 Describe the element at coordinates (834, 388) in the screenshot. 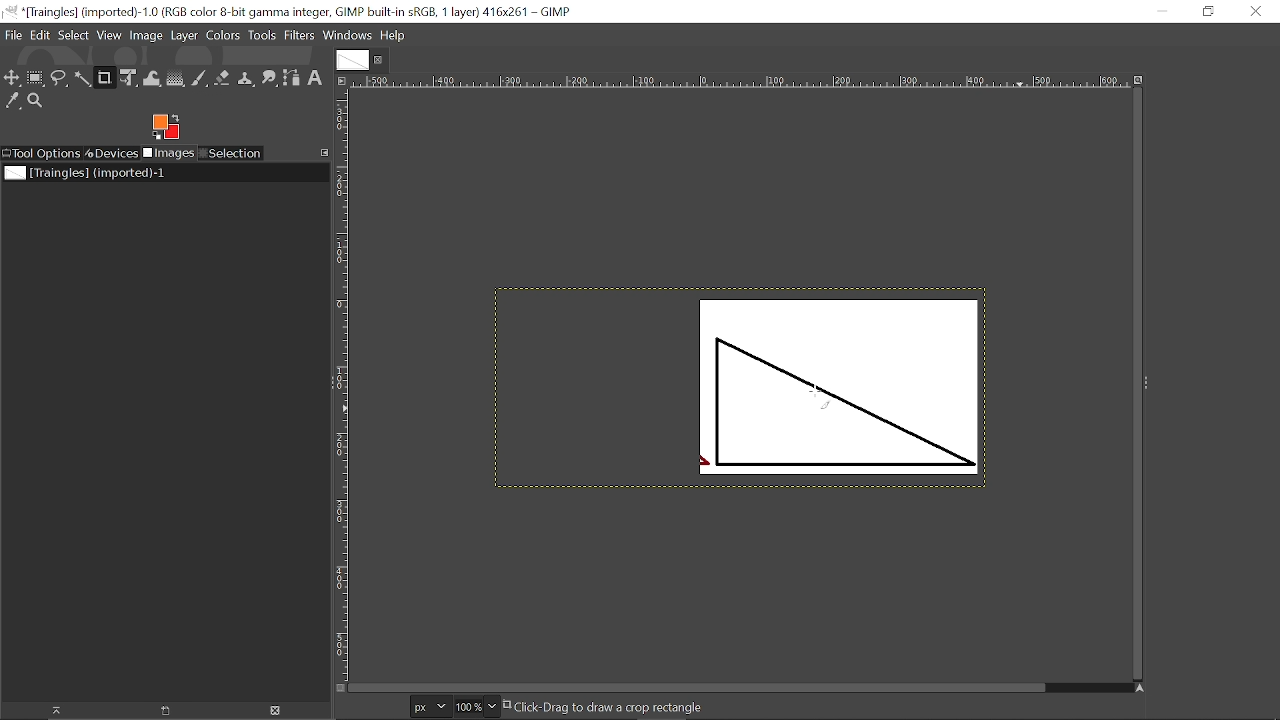

I see `Cropped image` at that location.